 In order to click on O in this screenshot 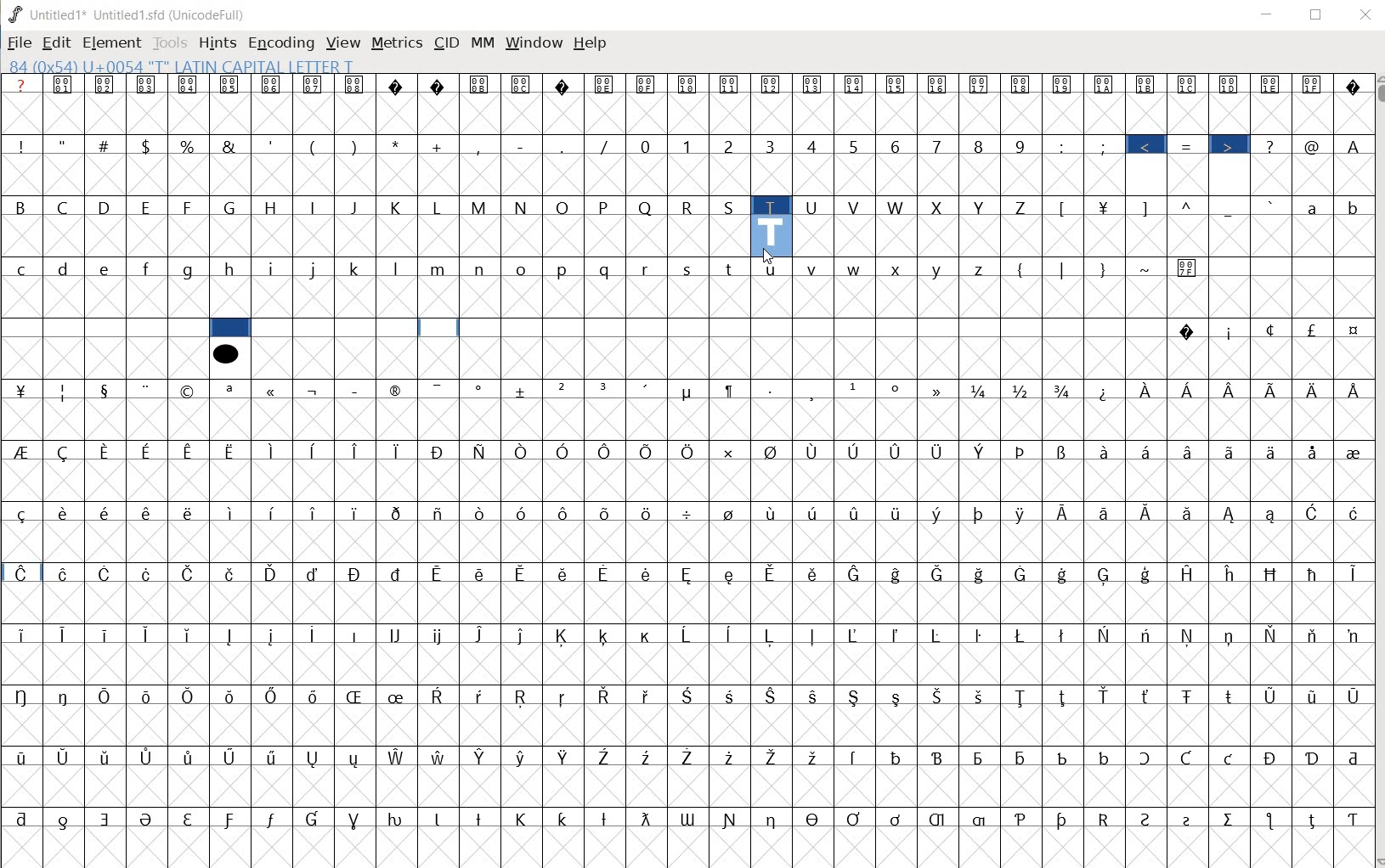, I will do `click(565, 208)`.